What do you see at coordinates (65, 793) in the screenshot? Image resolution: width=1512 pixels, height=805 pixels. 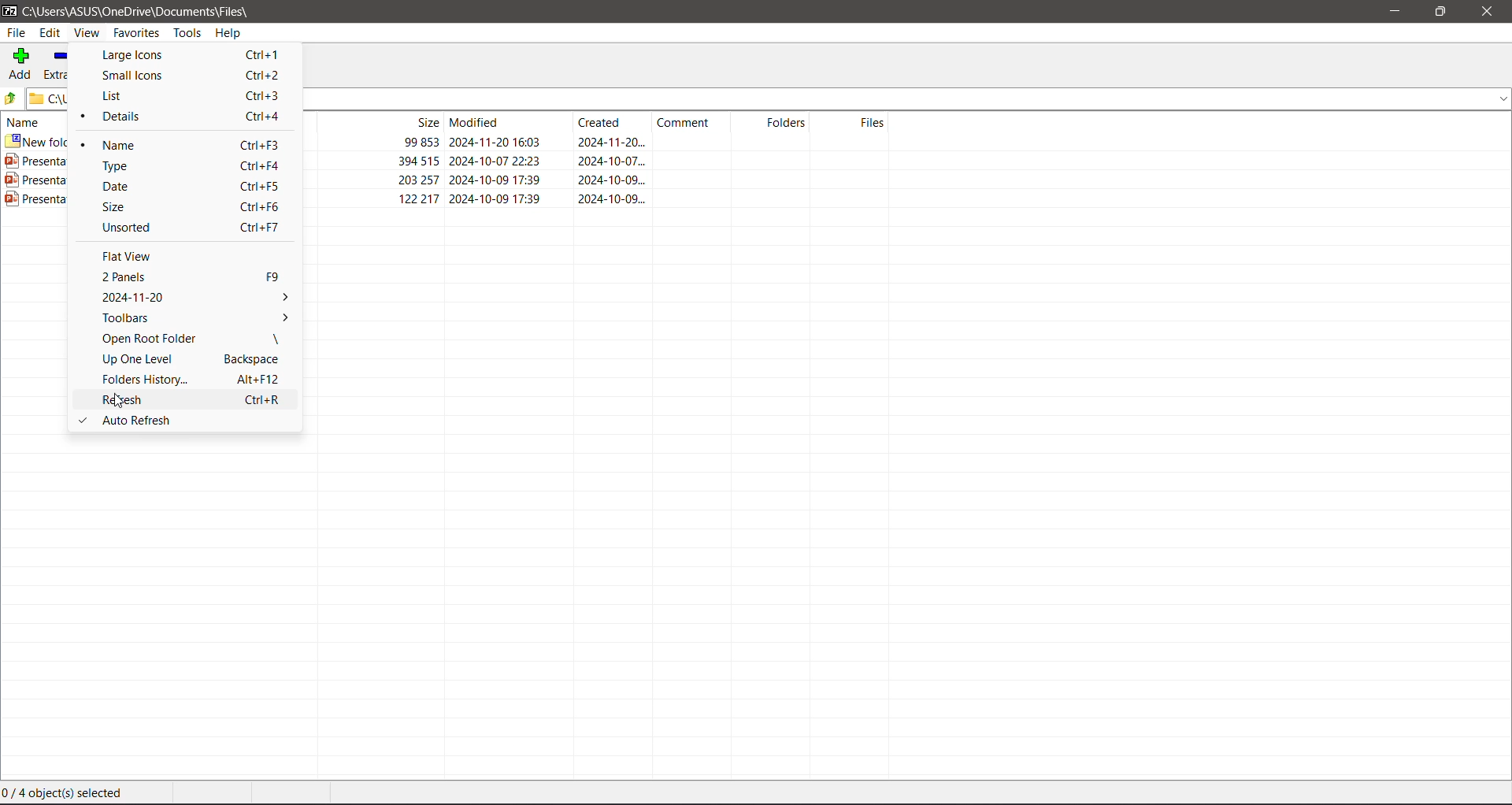 I see `Current selection status` at bounding box center [65, 793].